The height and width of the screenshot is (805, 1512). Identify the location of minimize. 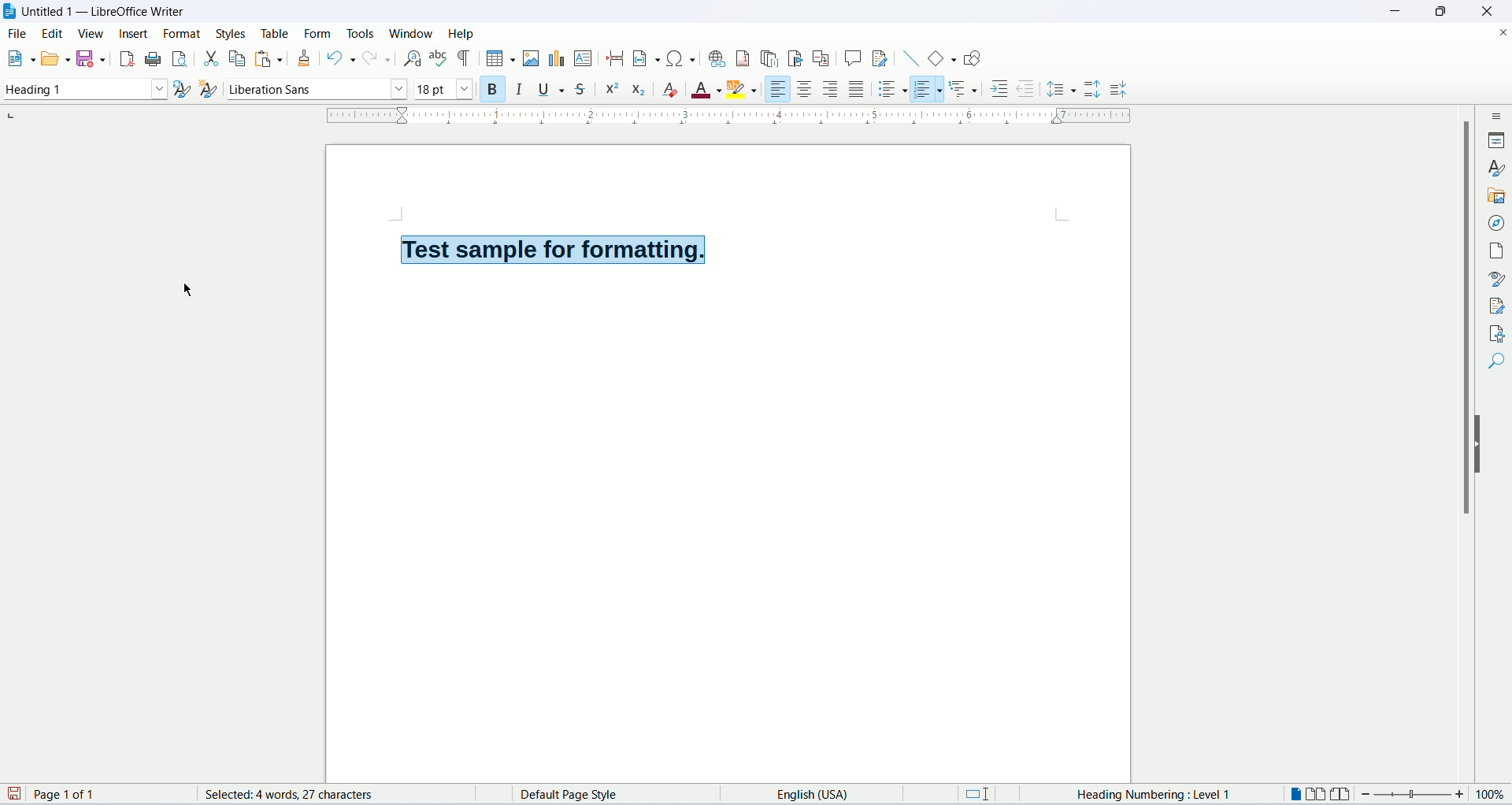
(1395, 9).